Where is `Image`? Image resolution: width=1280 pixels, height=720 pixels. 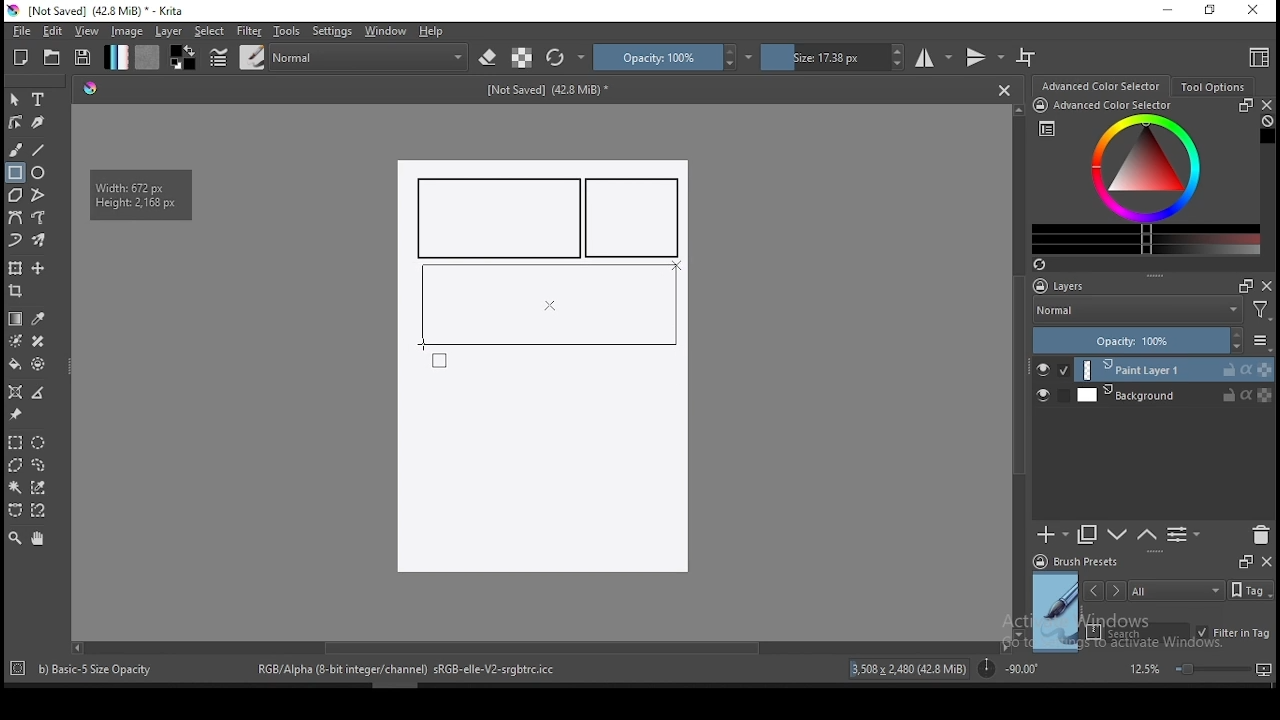 Image is located at coordinates (541, 468).